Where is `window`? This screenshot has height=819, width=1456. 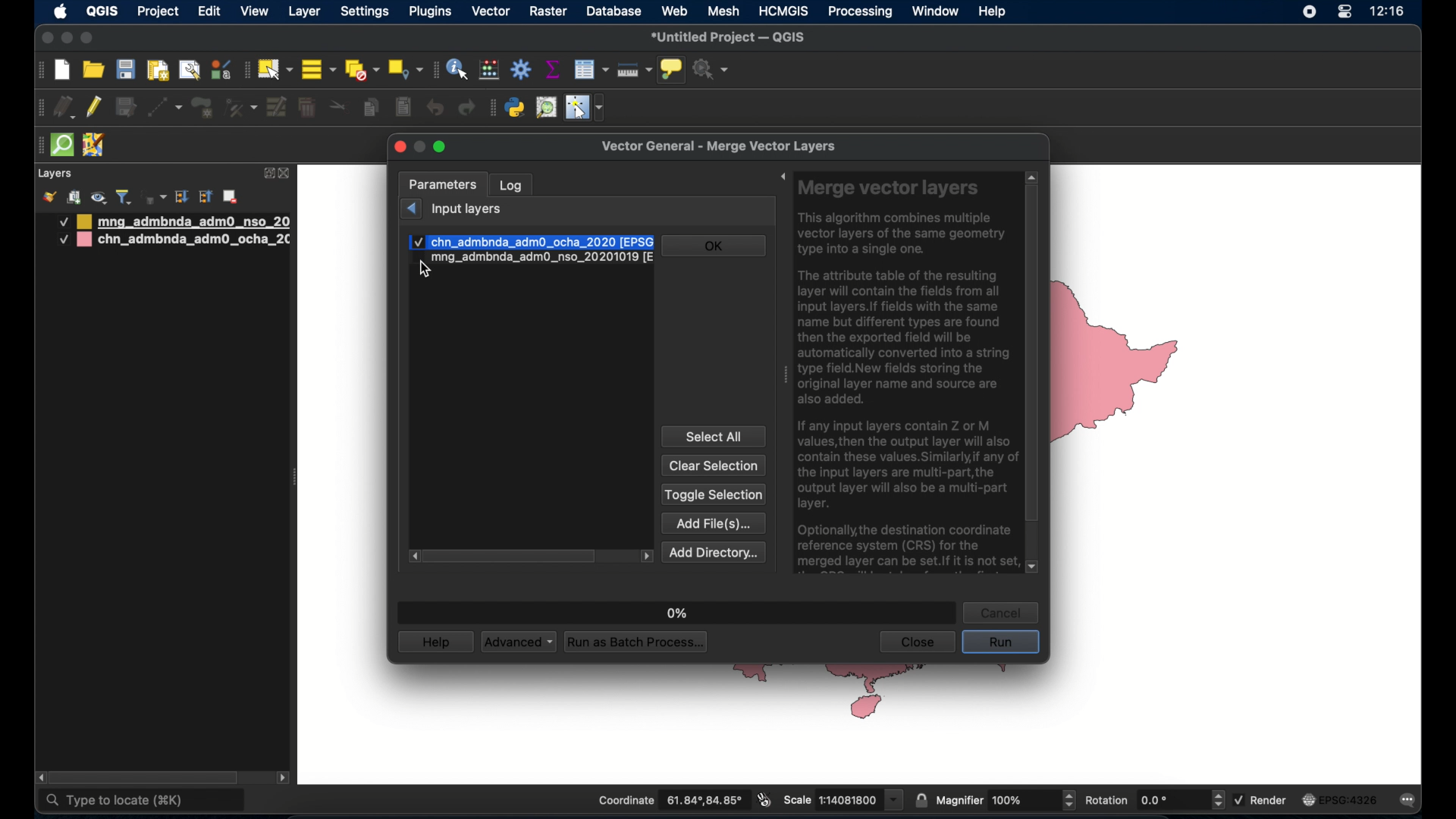
window is located at coordinates (935, 11).